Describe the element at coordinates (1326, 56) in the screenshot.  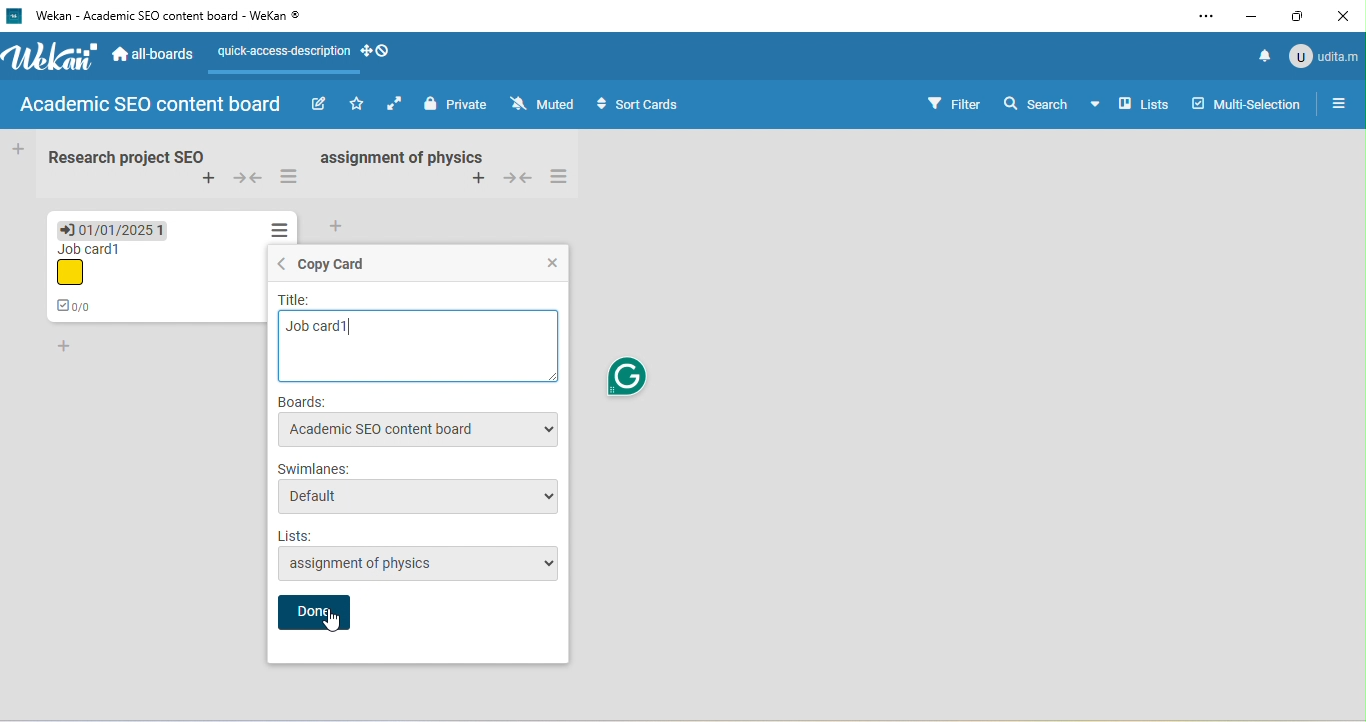
I see `udita mandal` at that location.